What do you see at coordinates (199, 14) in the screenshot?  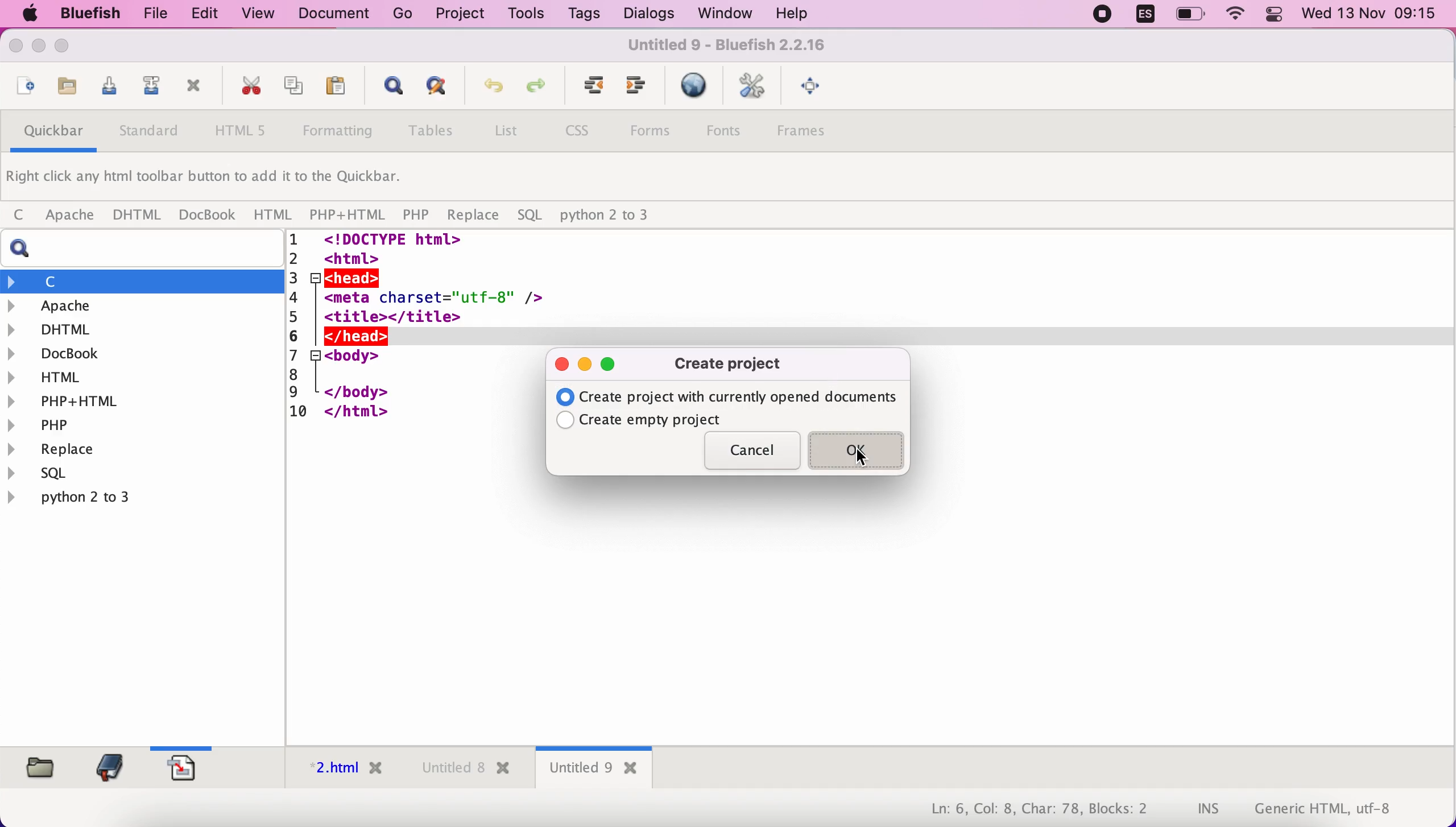 I see `edit` at bounding box center [199, 14].